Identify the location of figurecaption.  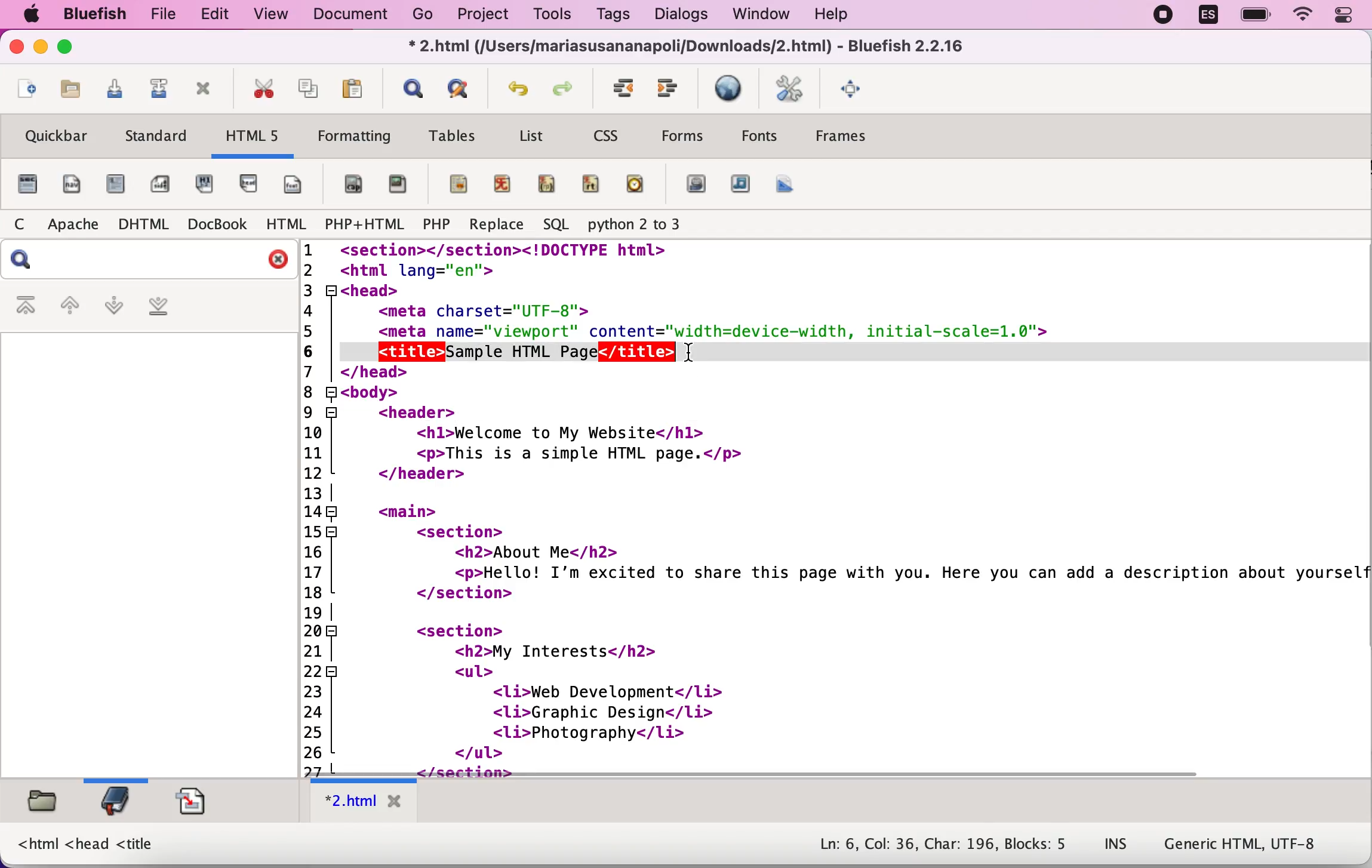
(353, 184).